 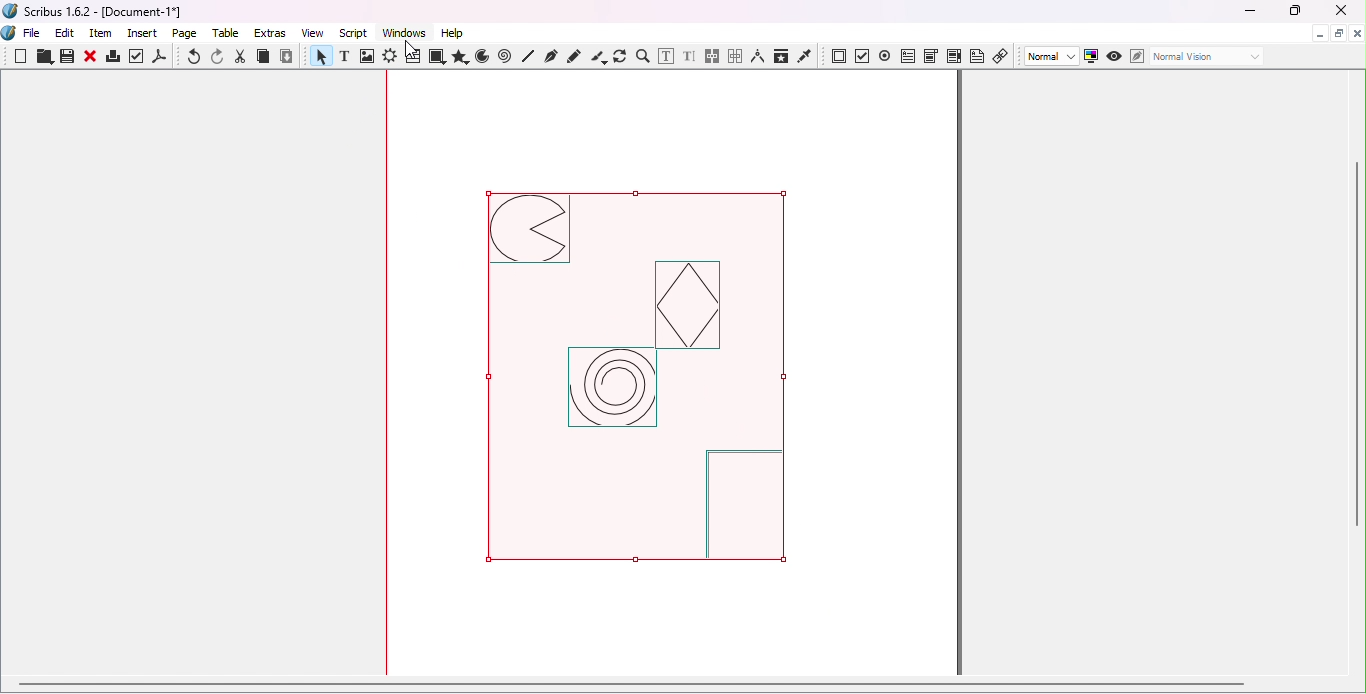 I want to click on Shapes, so click(x=436, y=57).